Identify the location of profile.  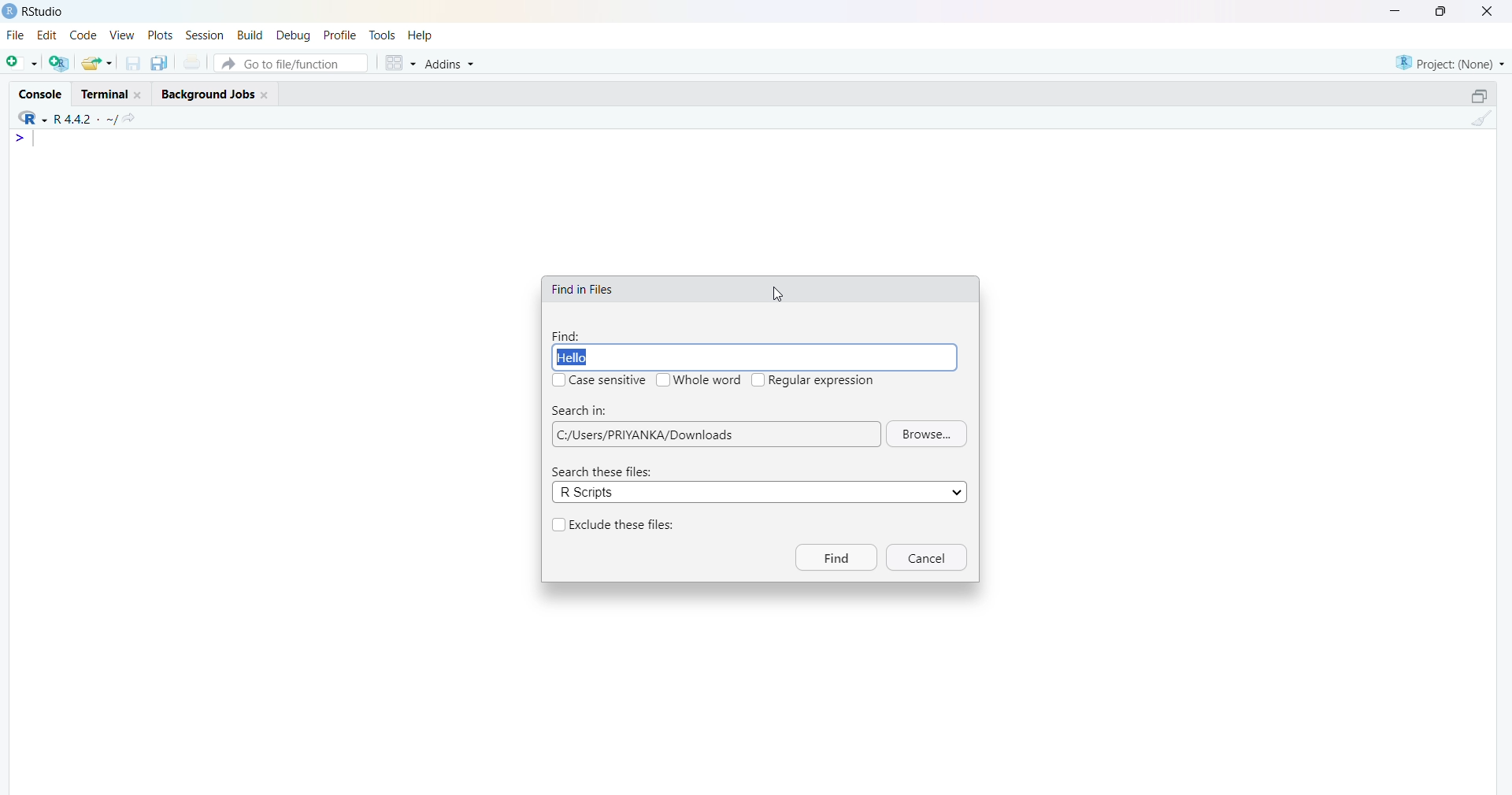
(343, 35).